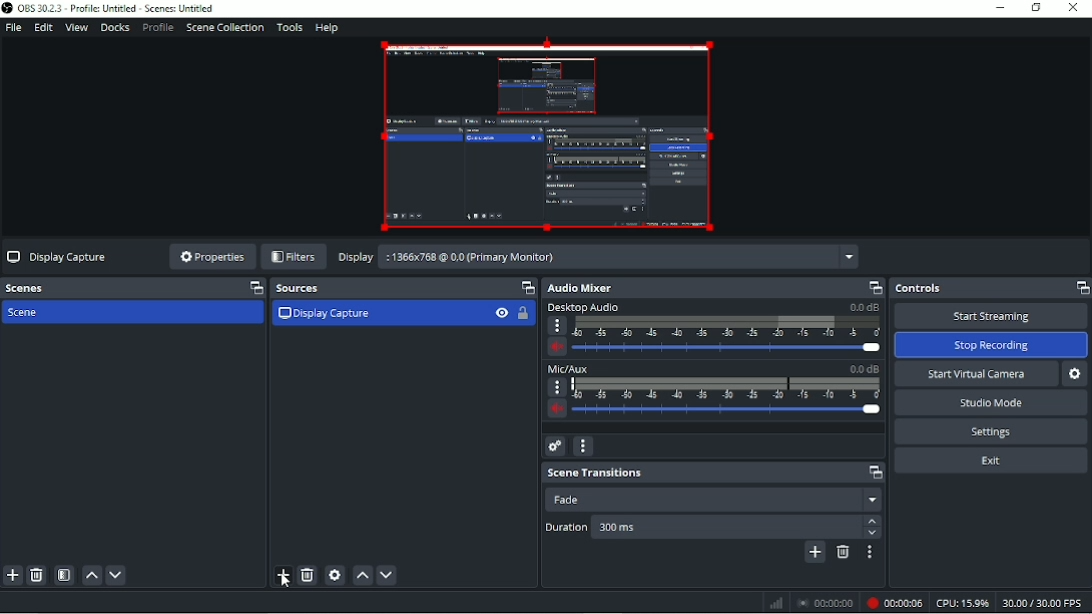 Image resolution: width=1092 pixels, height=614 pixels. What do you see at coordinates (842, 552) in the screenshot?
I see `Remove configurable transition` at bounding box center [842, 552].